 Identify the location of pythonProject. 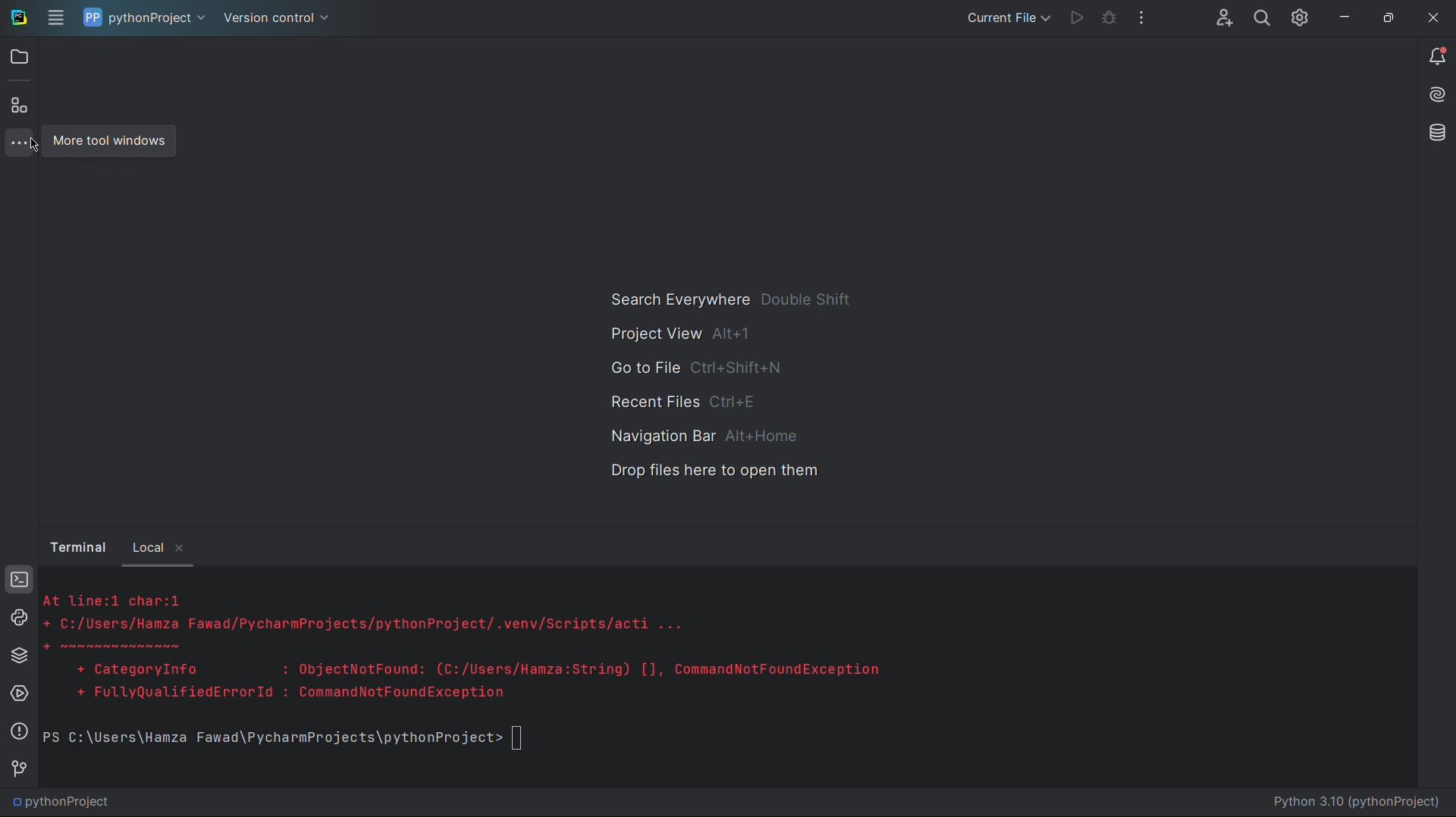
(143, 17).